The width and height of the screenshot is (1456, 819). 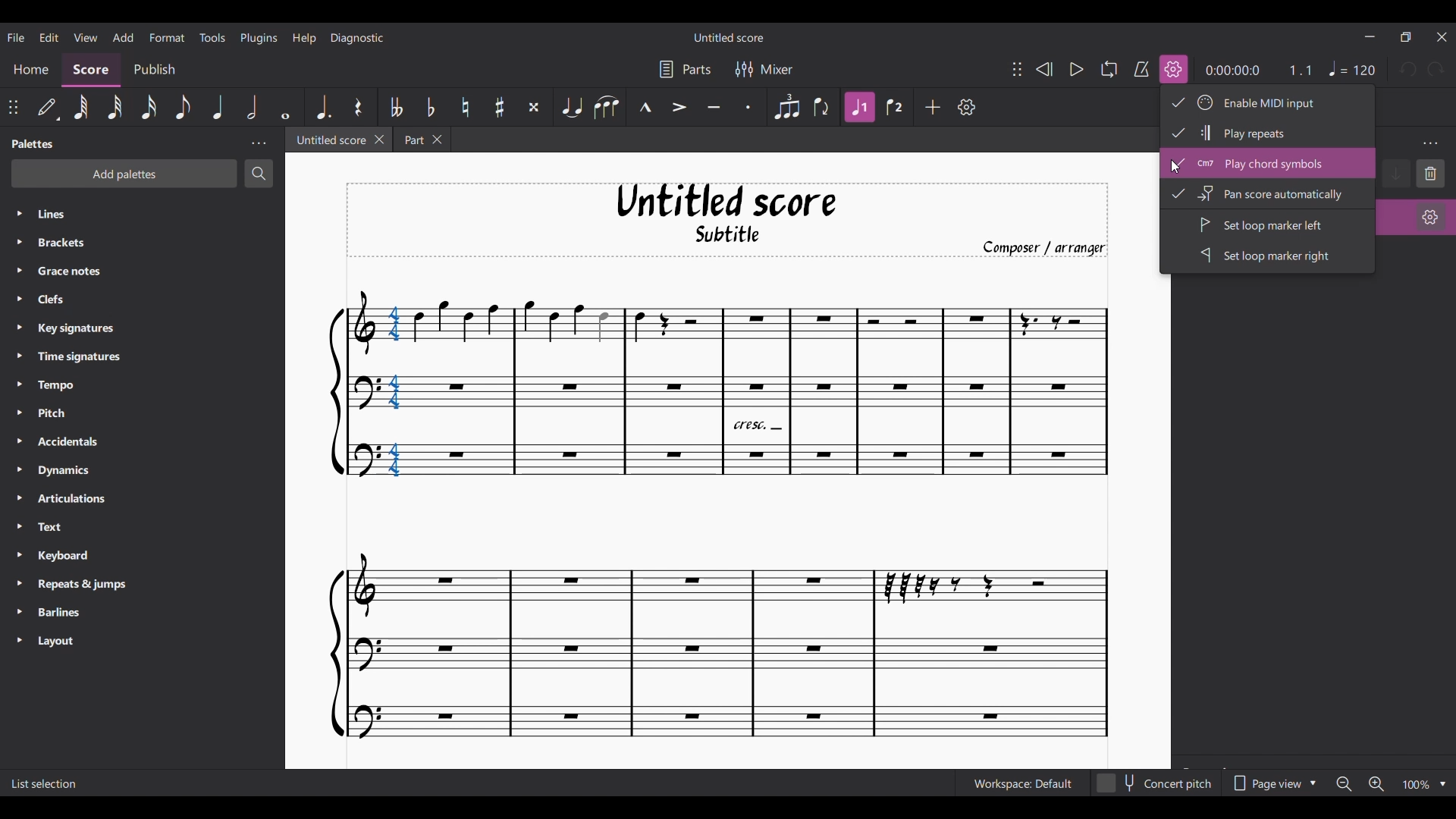 What do you see at coordinates (1178, 150) in the screenshot?
I see `Check icon indicates option is selected` at bounding box center [1178, 150].